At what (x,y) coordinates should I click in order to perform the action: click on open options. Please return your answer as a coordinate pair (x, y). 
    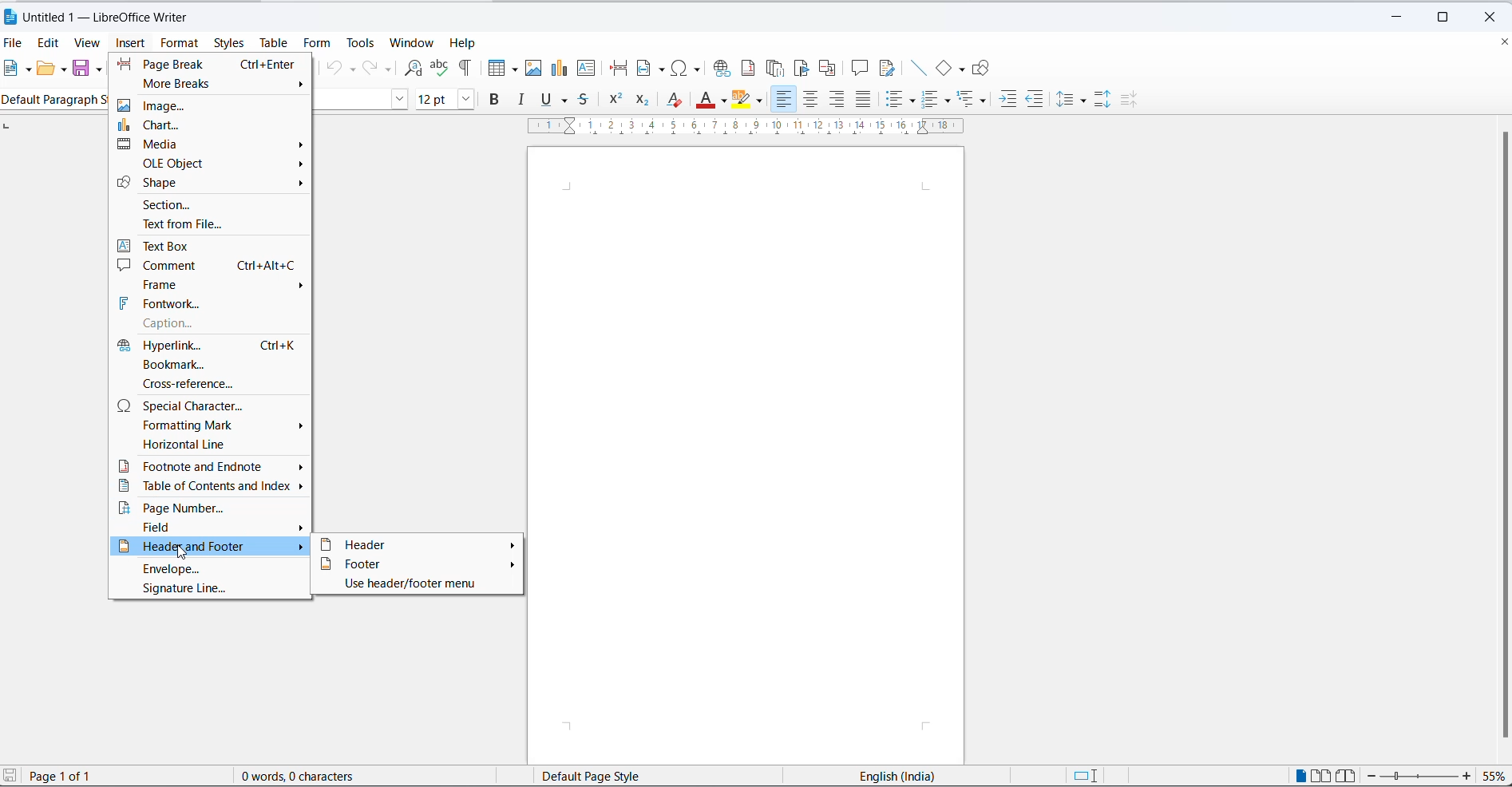
    Looking at the image, I should click on (59, 69).